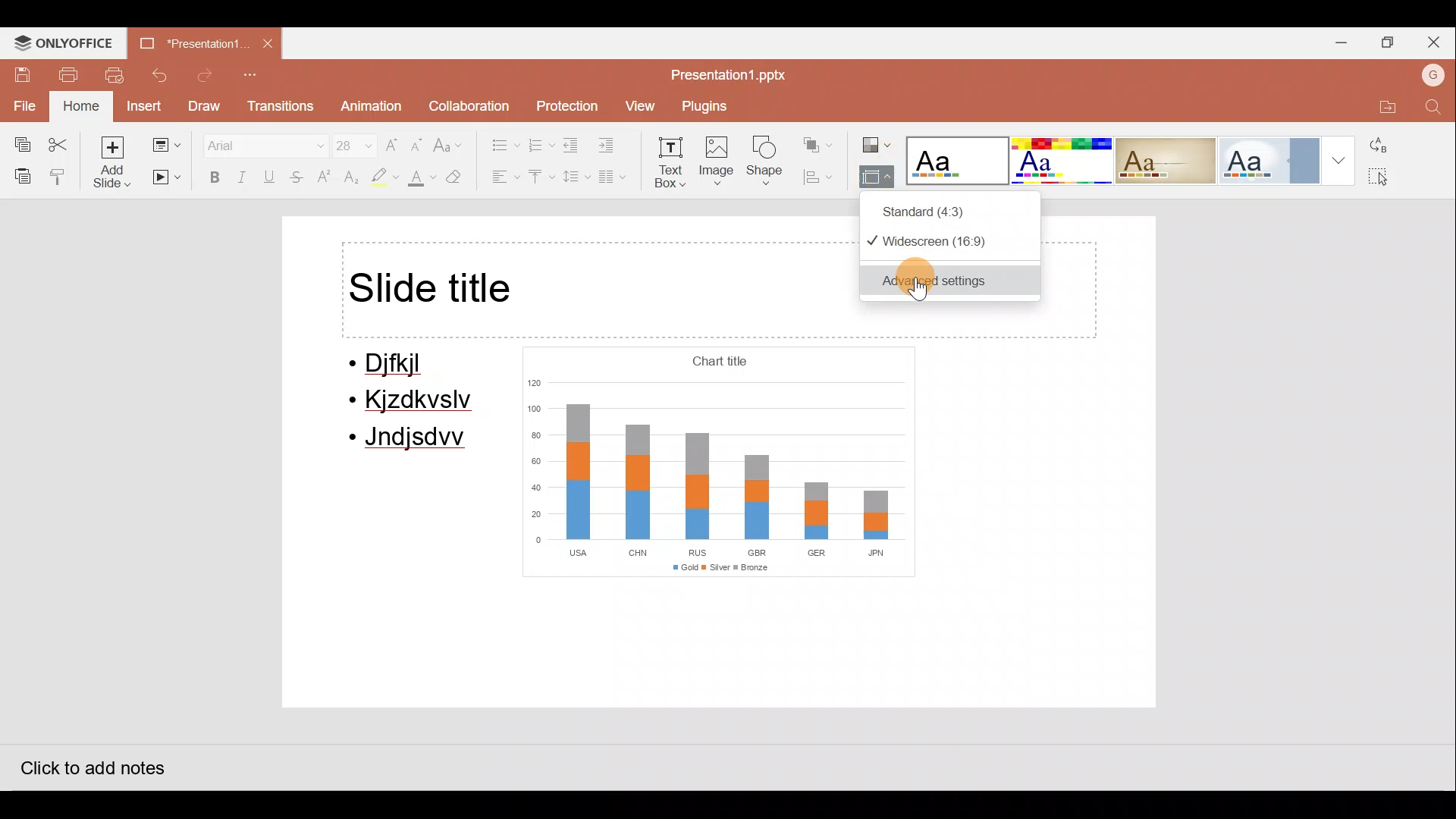  Describe the element at coordinates (349, 179) in the screenshot. I see `Subscript` at that location.